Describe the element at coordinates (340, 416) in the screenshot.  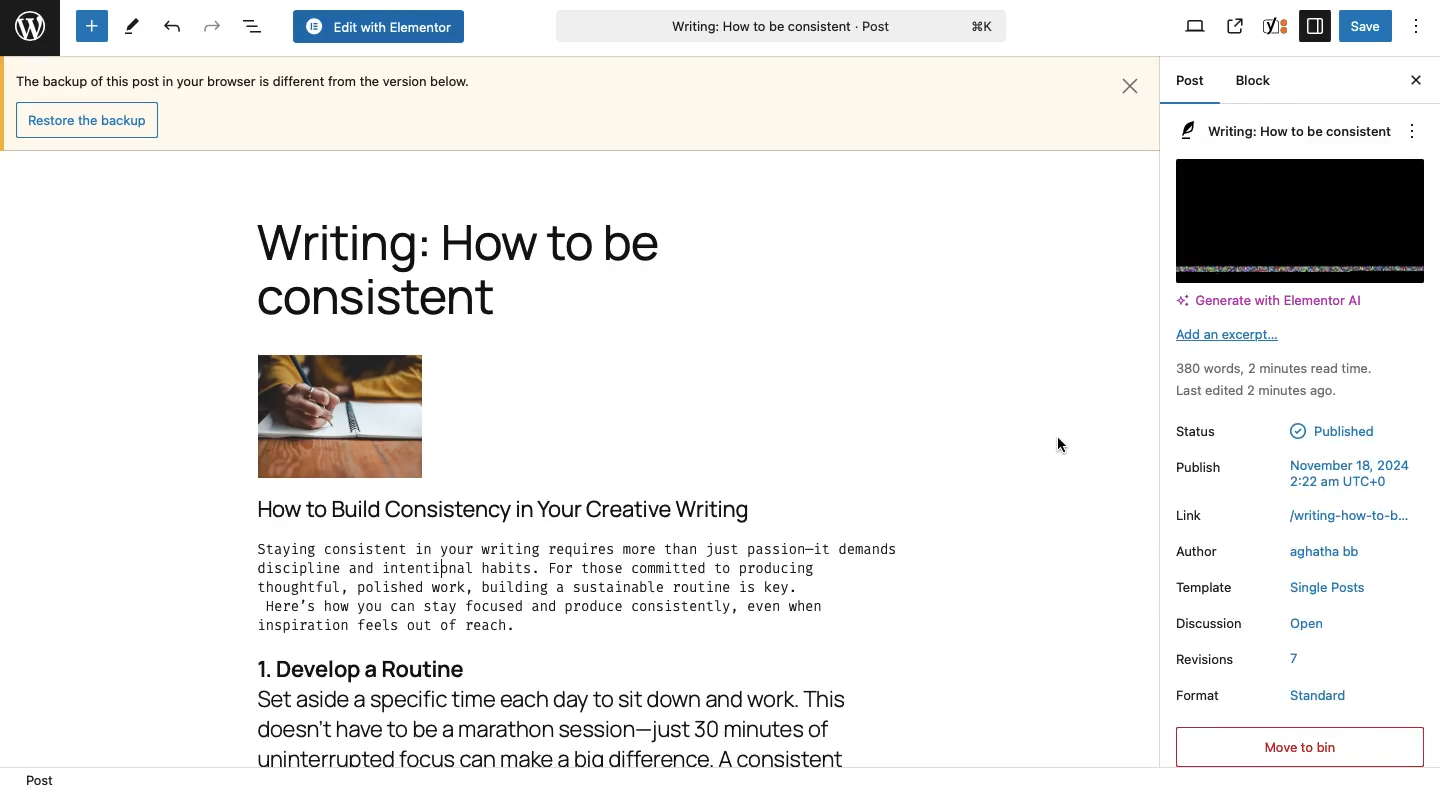
I see `Image` at that location.